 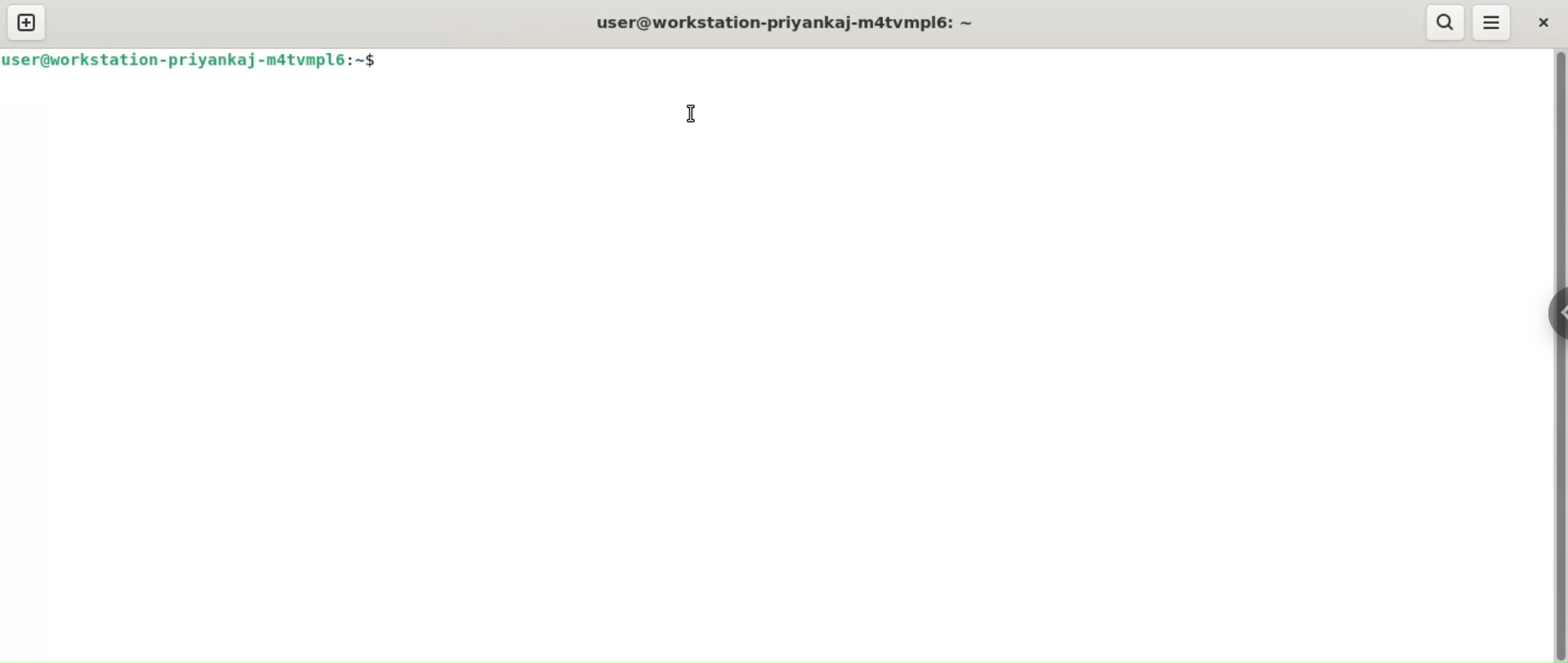 I want to click on new tab, so click(x=27, y=23).